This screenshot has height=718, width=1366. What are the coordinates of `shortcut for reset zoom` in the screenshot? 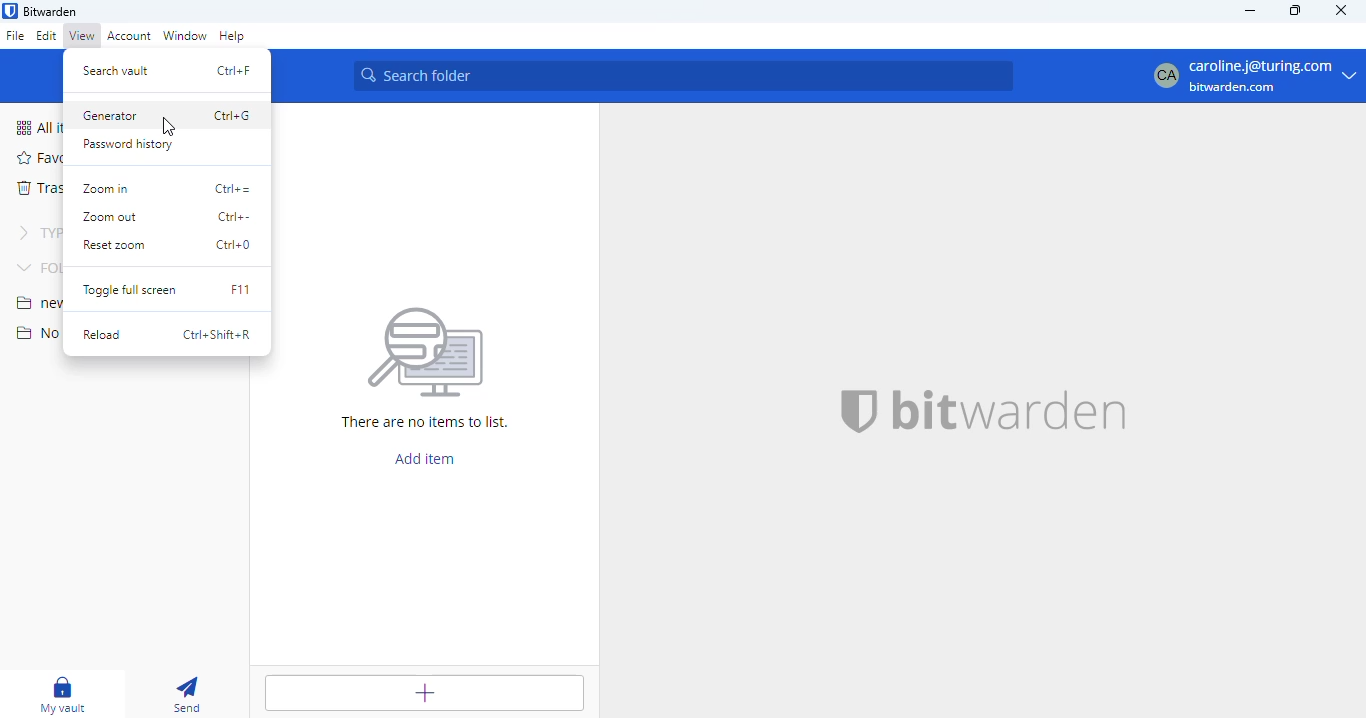 It's located at (234, 244).